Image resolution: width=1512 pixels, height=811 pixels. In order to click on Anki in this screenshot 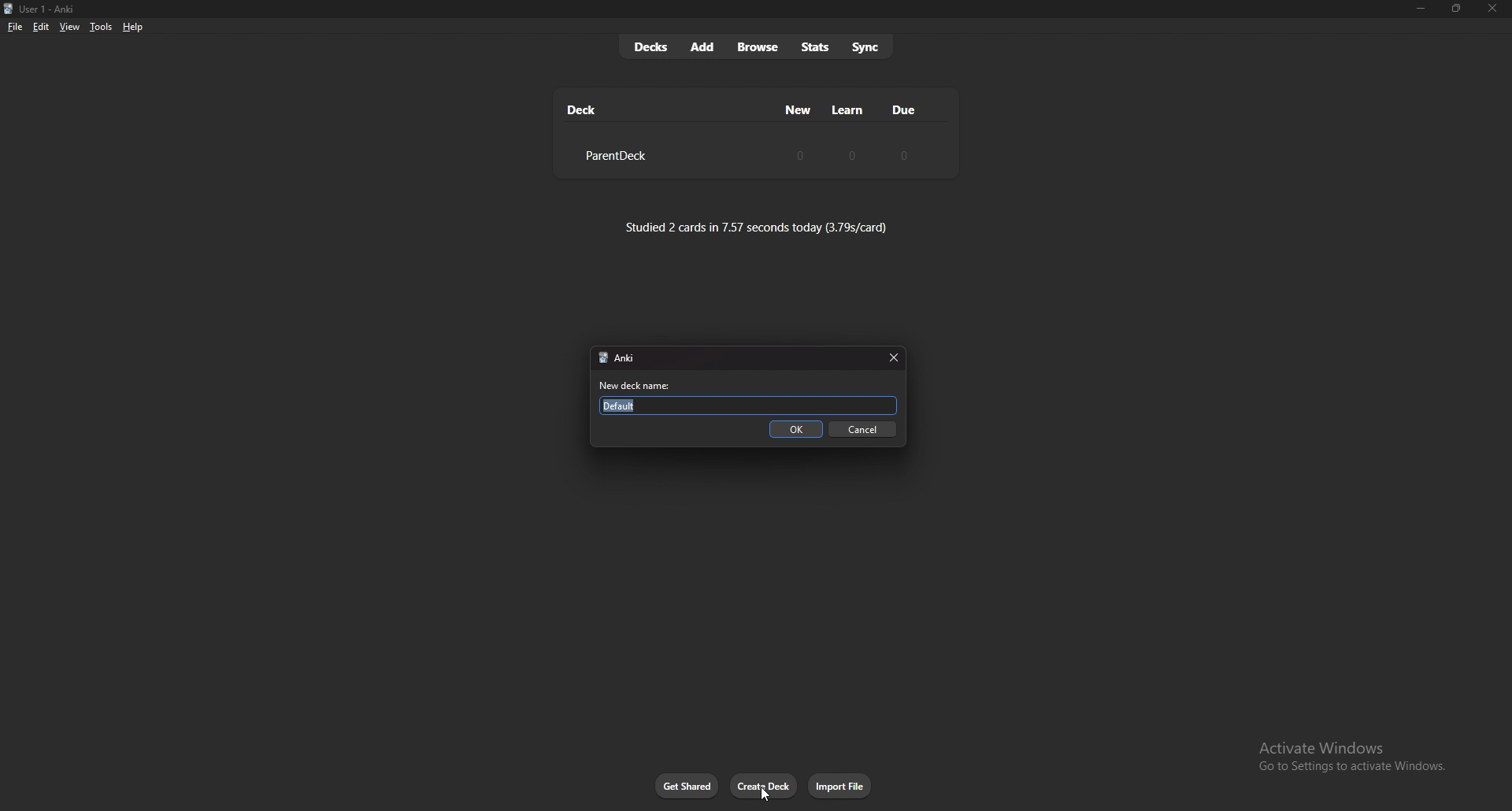, I will do `click(635, 359)`.